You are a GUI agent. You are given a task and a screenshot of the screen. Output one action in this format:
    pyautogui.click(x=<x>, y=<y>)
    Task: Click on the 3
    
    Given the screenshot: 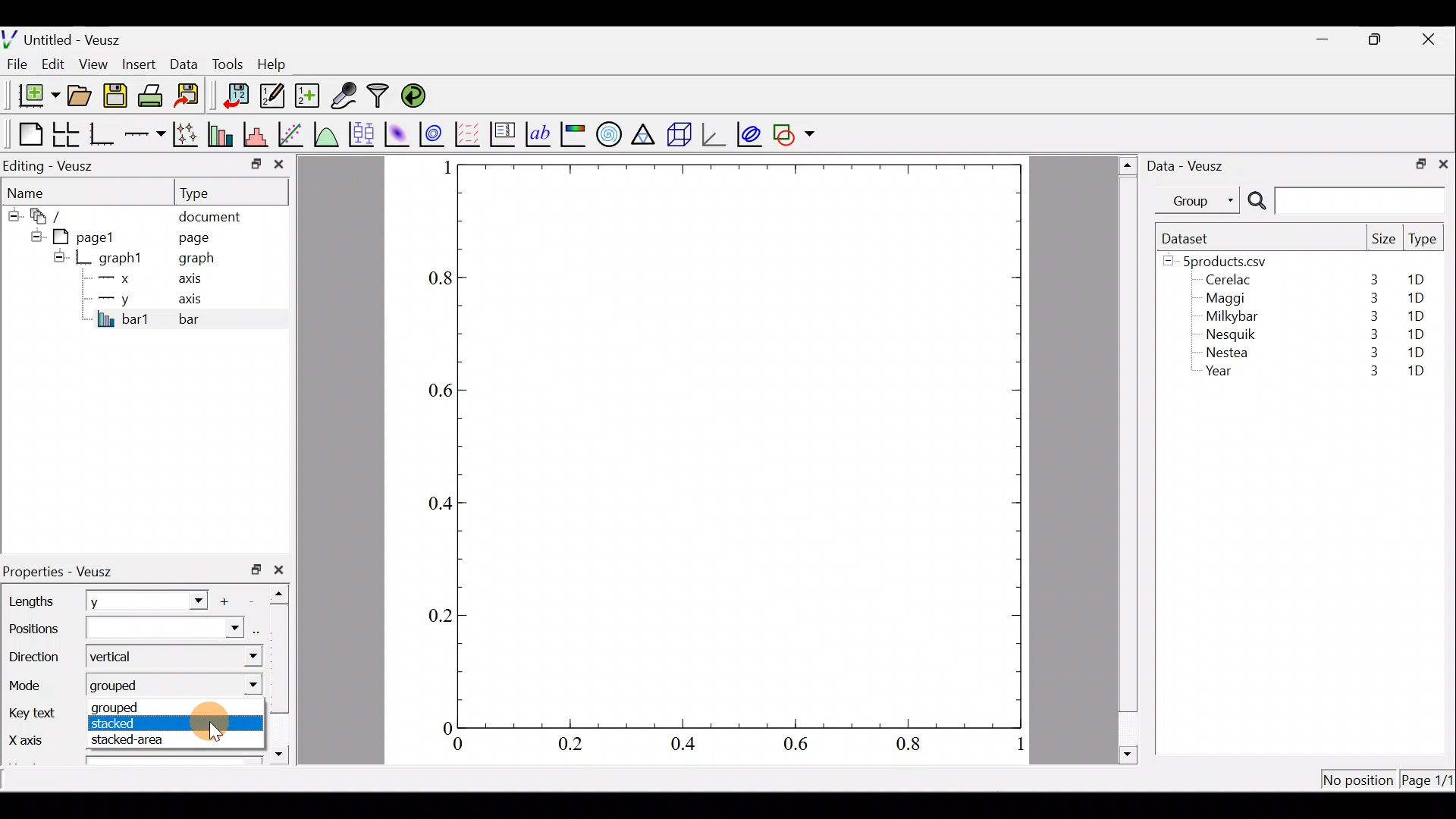 What is the action you would take?
    pyautogui.click(x=1371, y=334)
    